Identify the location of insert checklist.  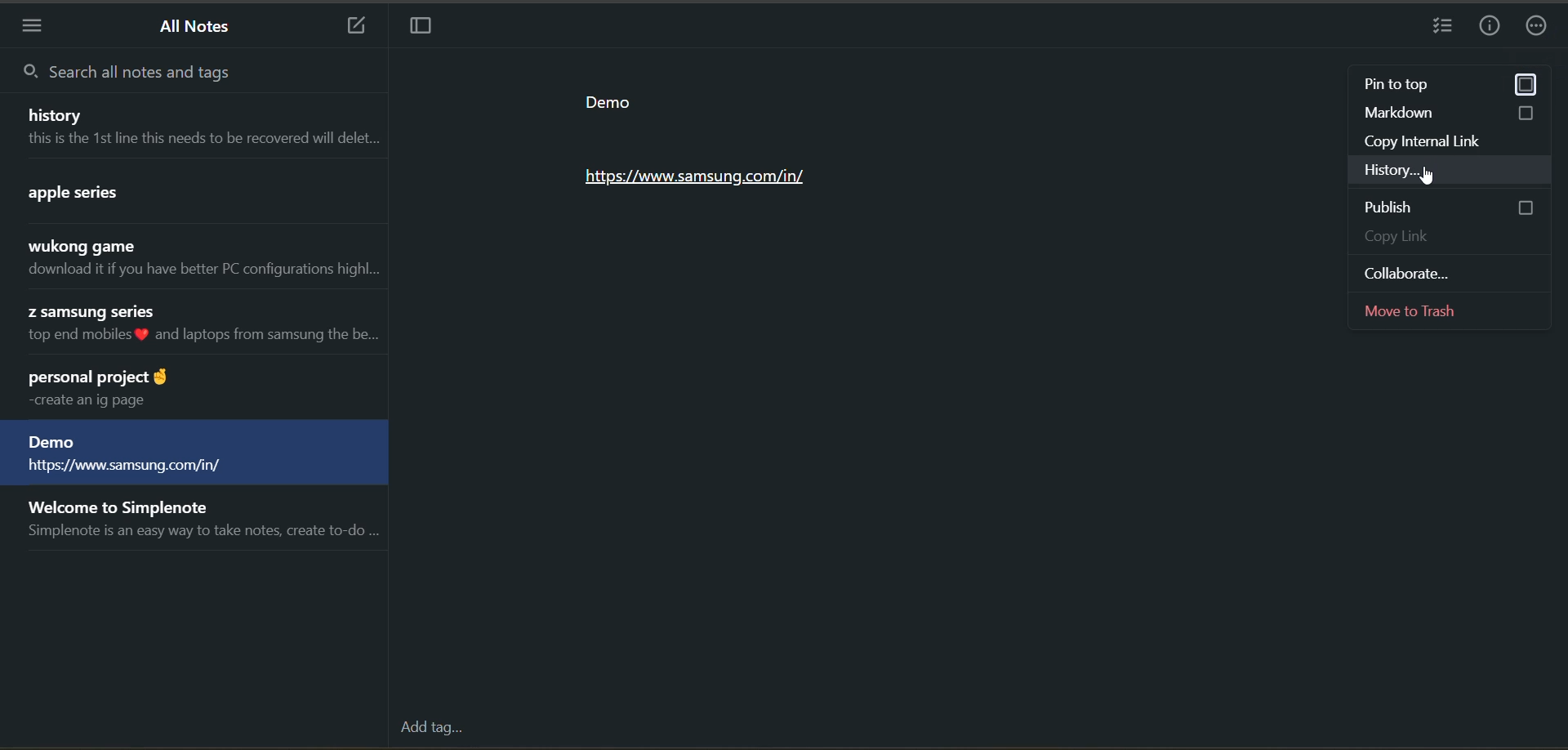
(1445, 28).